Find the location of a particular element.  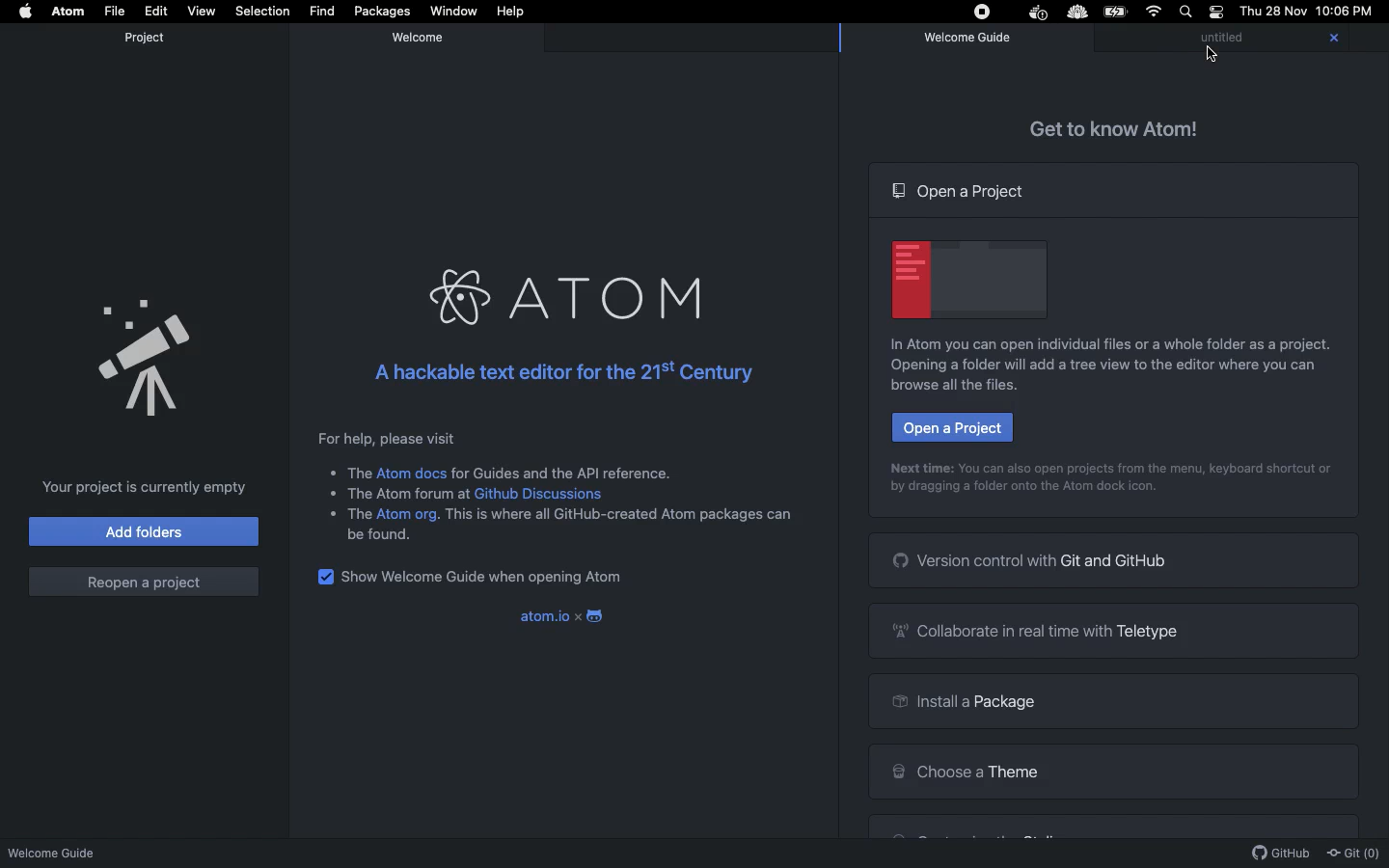

Apple logo is located at coordinates (26, 14).